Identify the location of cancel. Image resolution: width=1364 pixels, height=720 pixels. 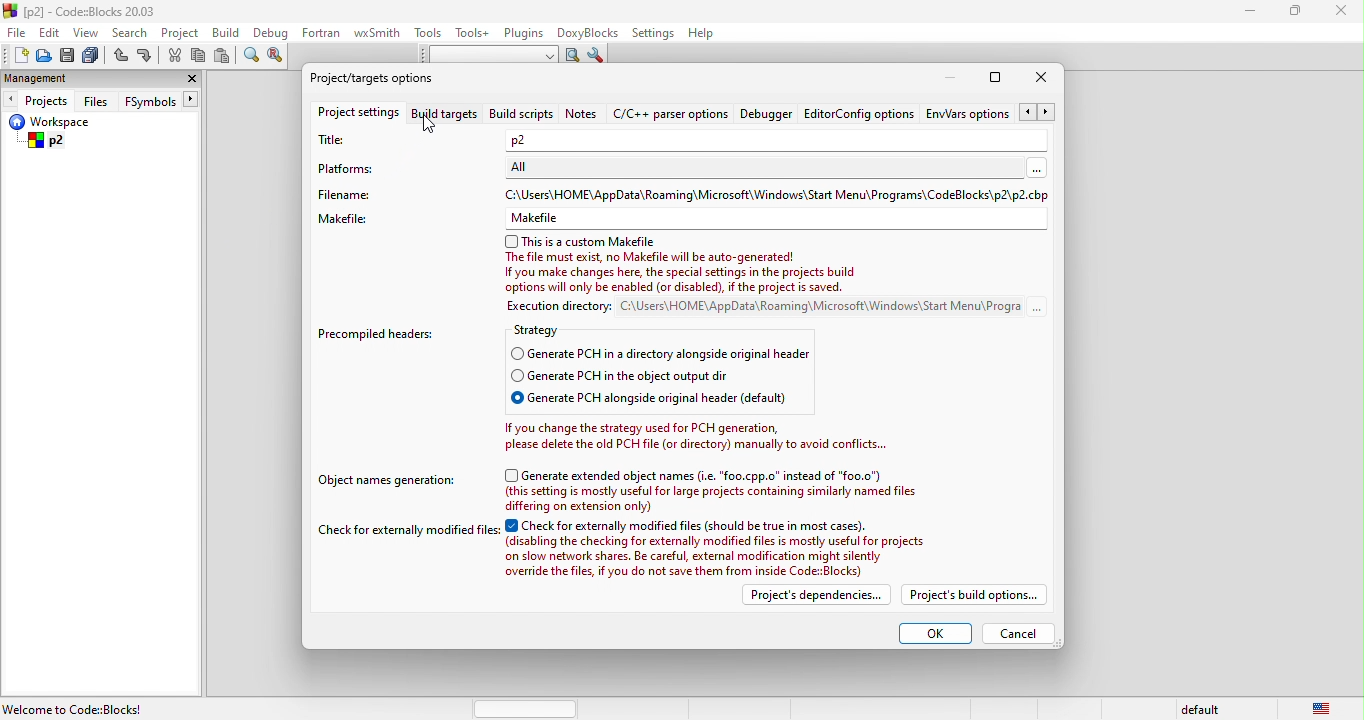
(1019, 634).